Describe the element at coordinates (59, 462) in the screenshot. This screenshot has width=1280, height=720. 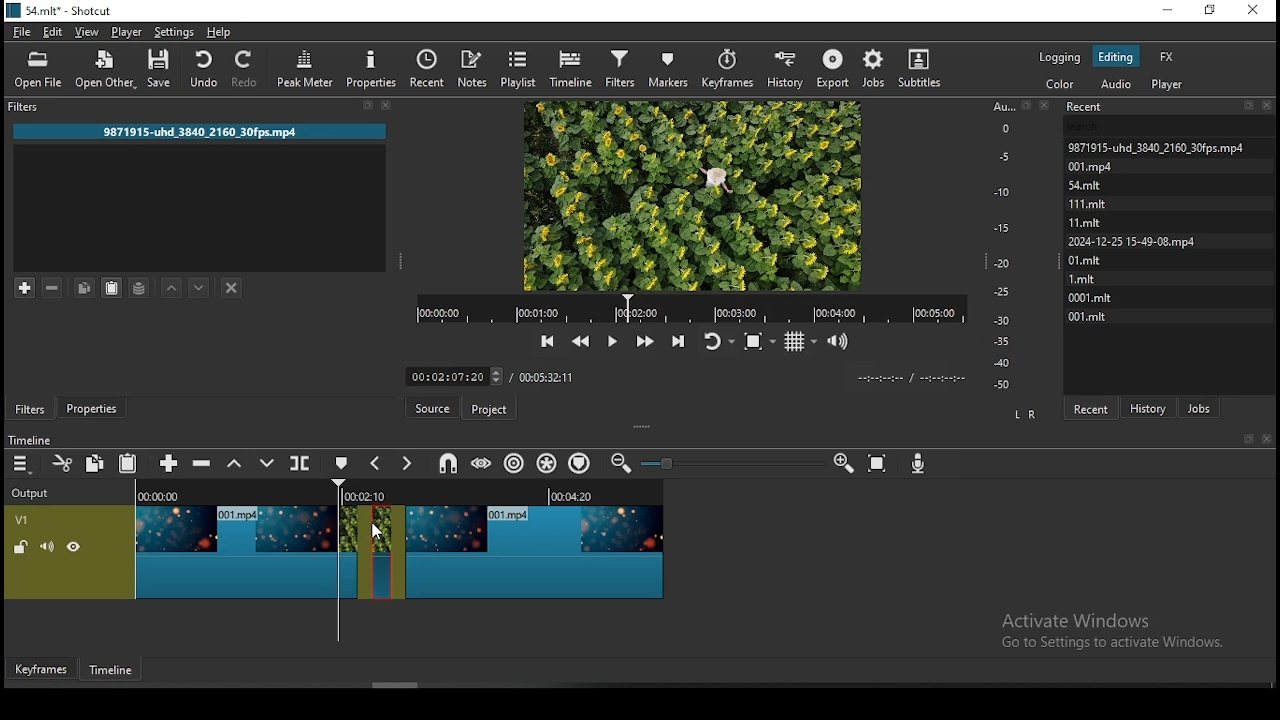
I see `cut` at that location.